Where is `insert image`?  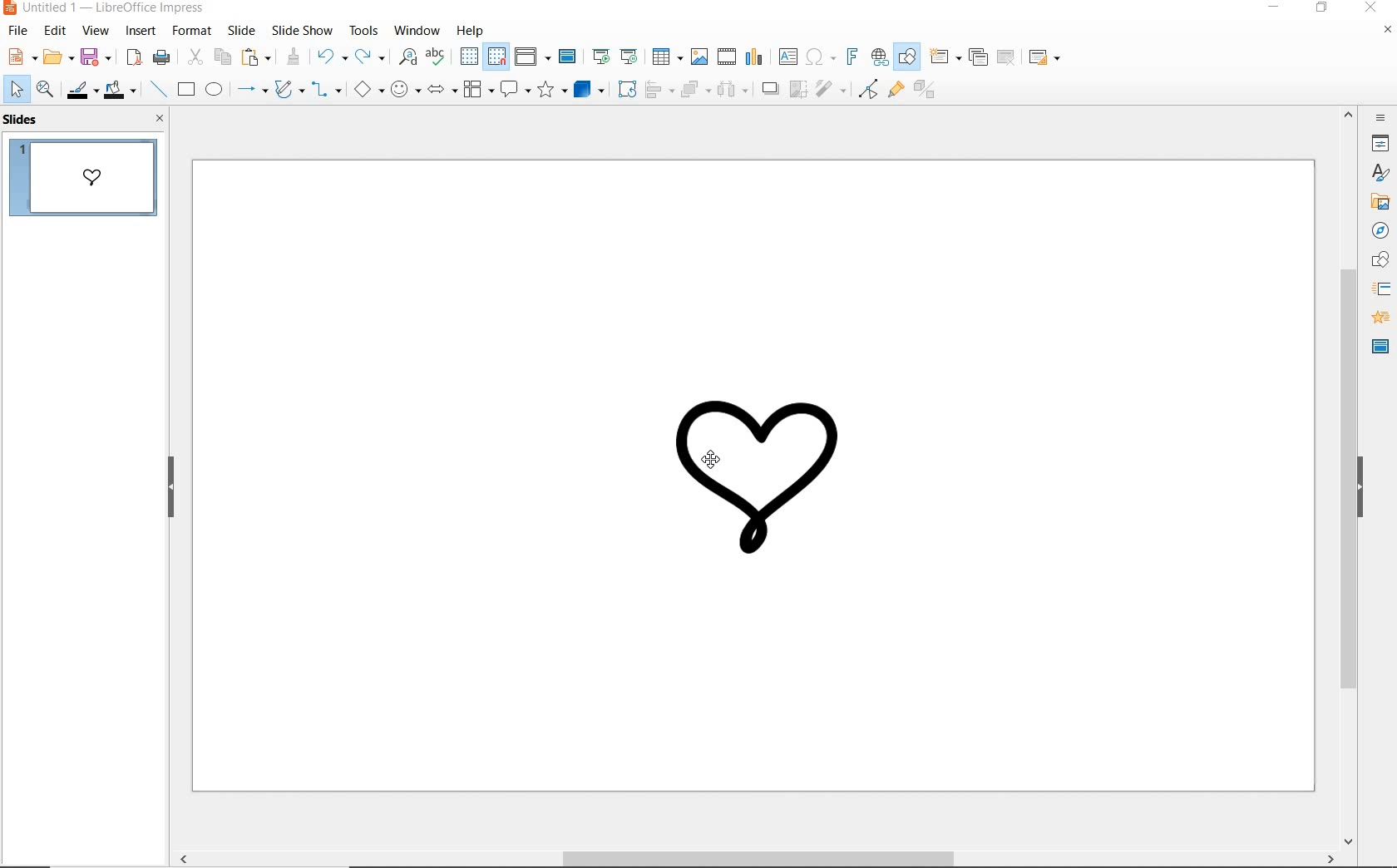
insert image is located at coordinates (698, 57).